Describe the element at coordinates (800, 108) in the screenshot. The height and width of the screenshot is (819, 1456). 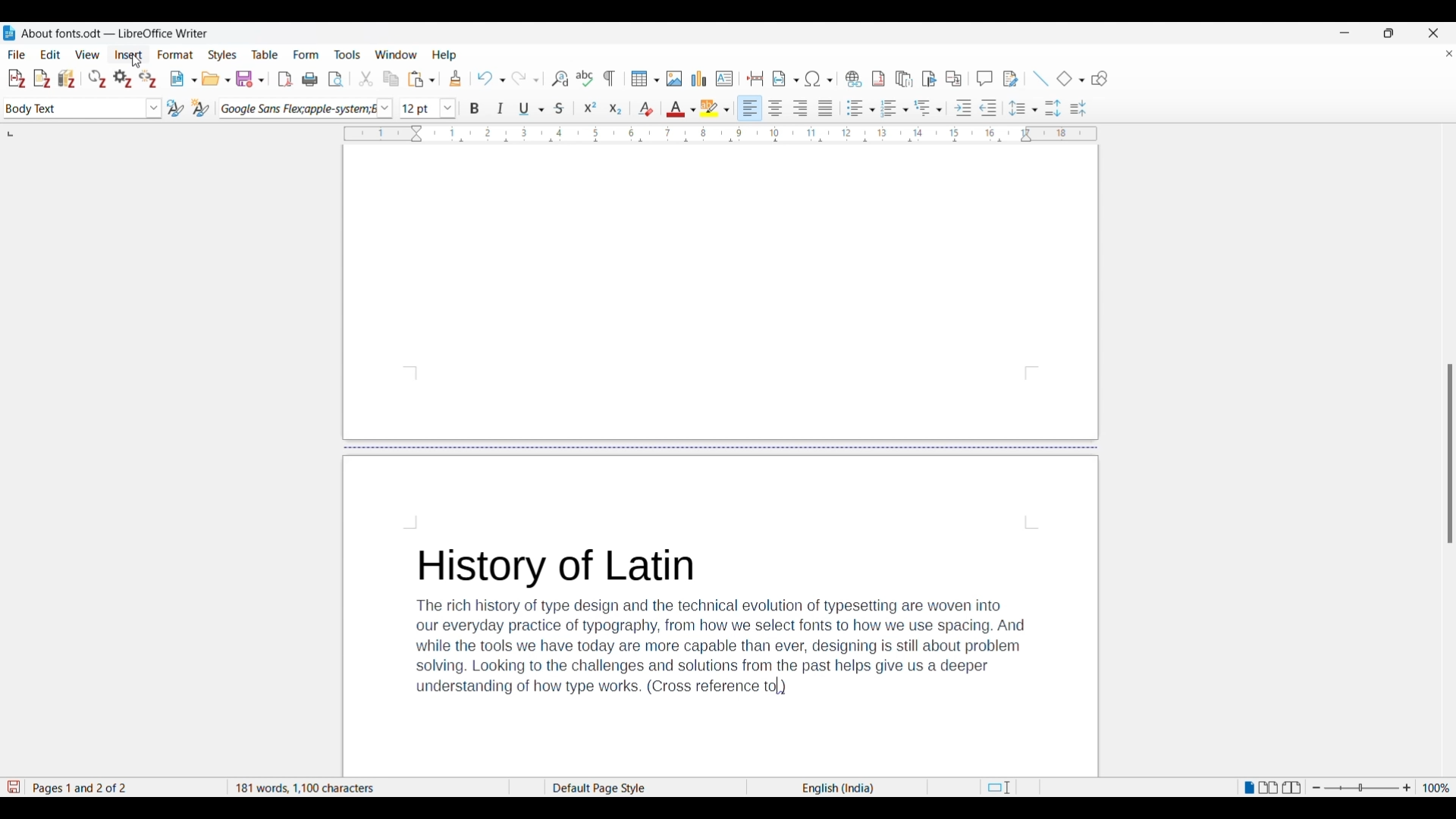
I see `Align right` at that location.